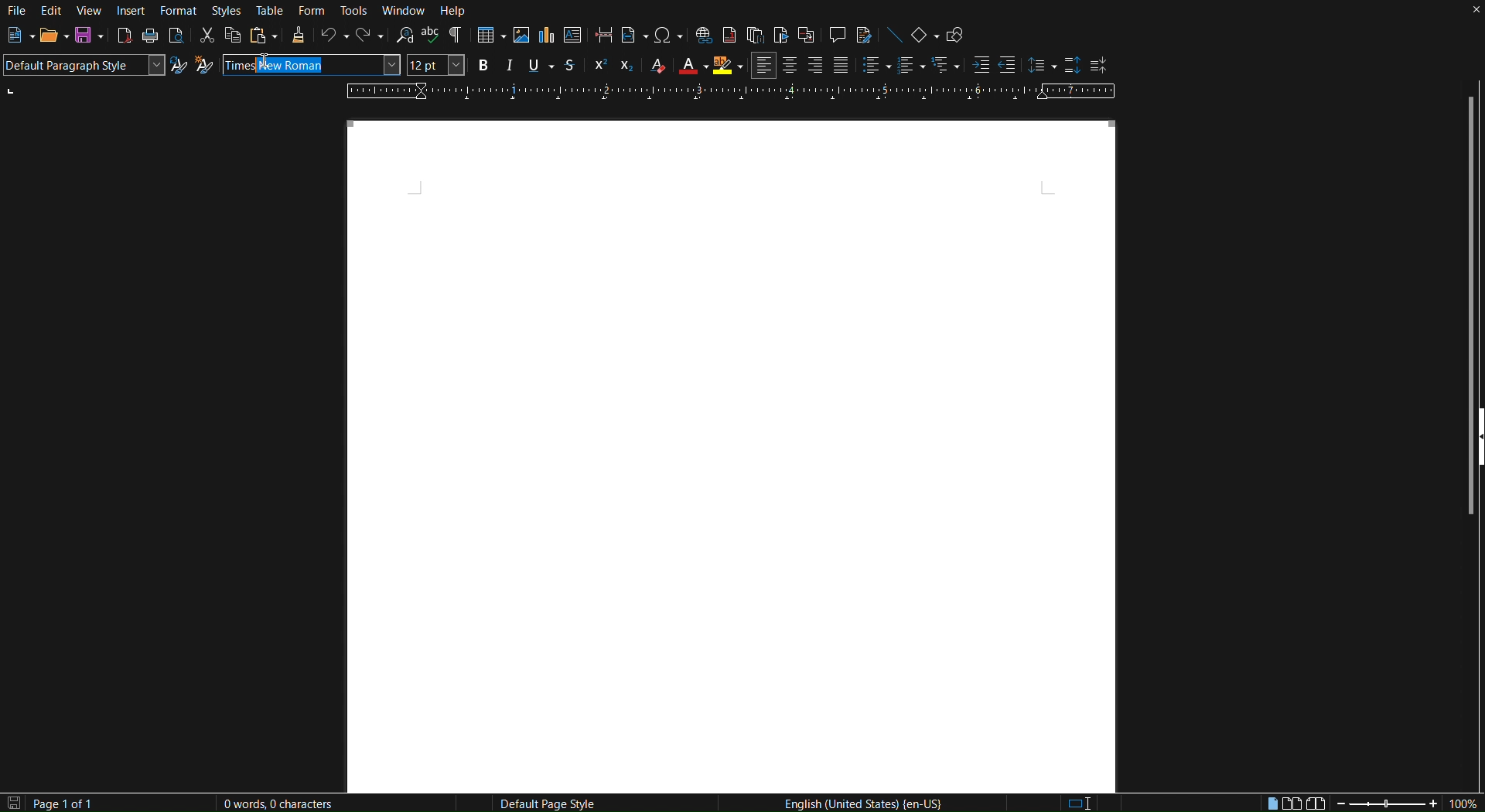 This screenshot has height=812, width=1485. I want to click on File , so click(17, 11).